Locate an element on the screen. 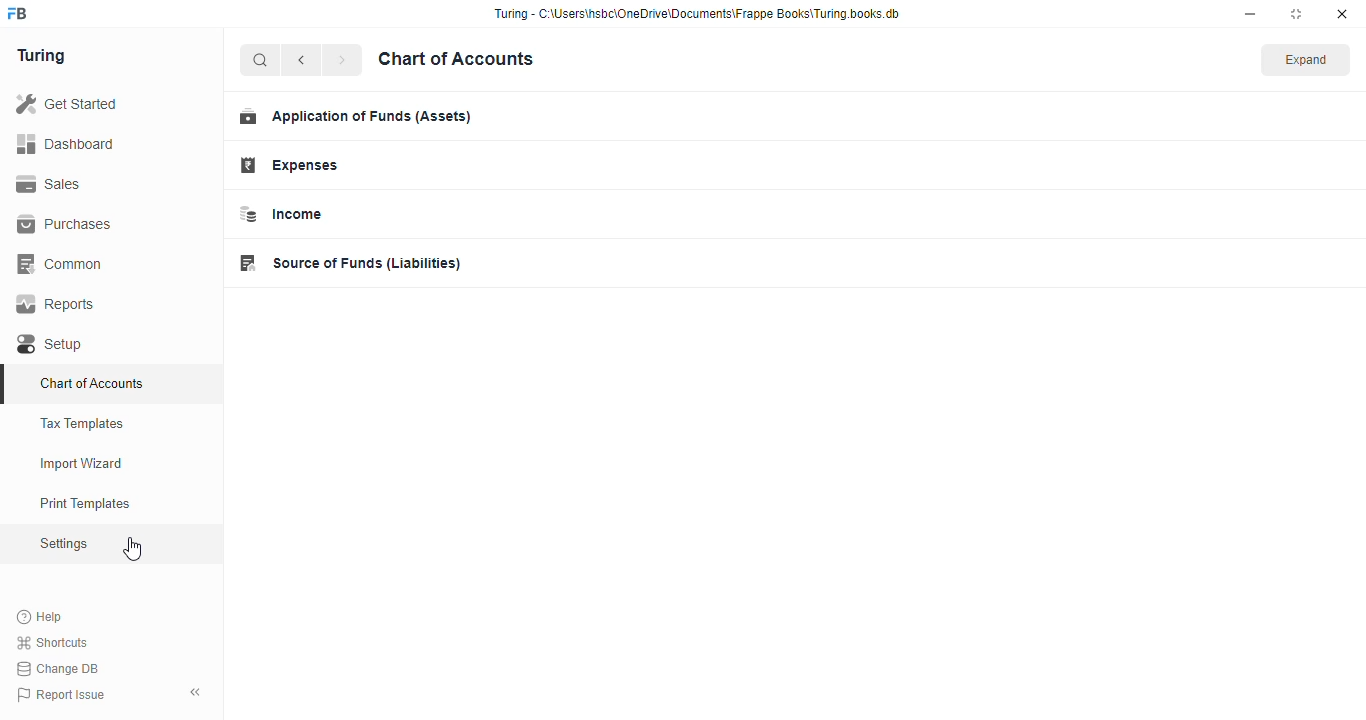 The height and width of the screenshot is (720, 1366). shortcuts is located at coordinates (52, 643).